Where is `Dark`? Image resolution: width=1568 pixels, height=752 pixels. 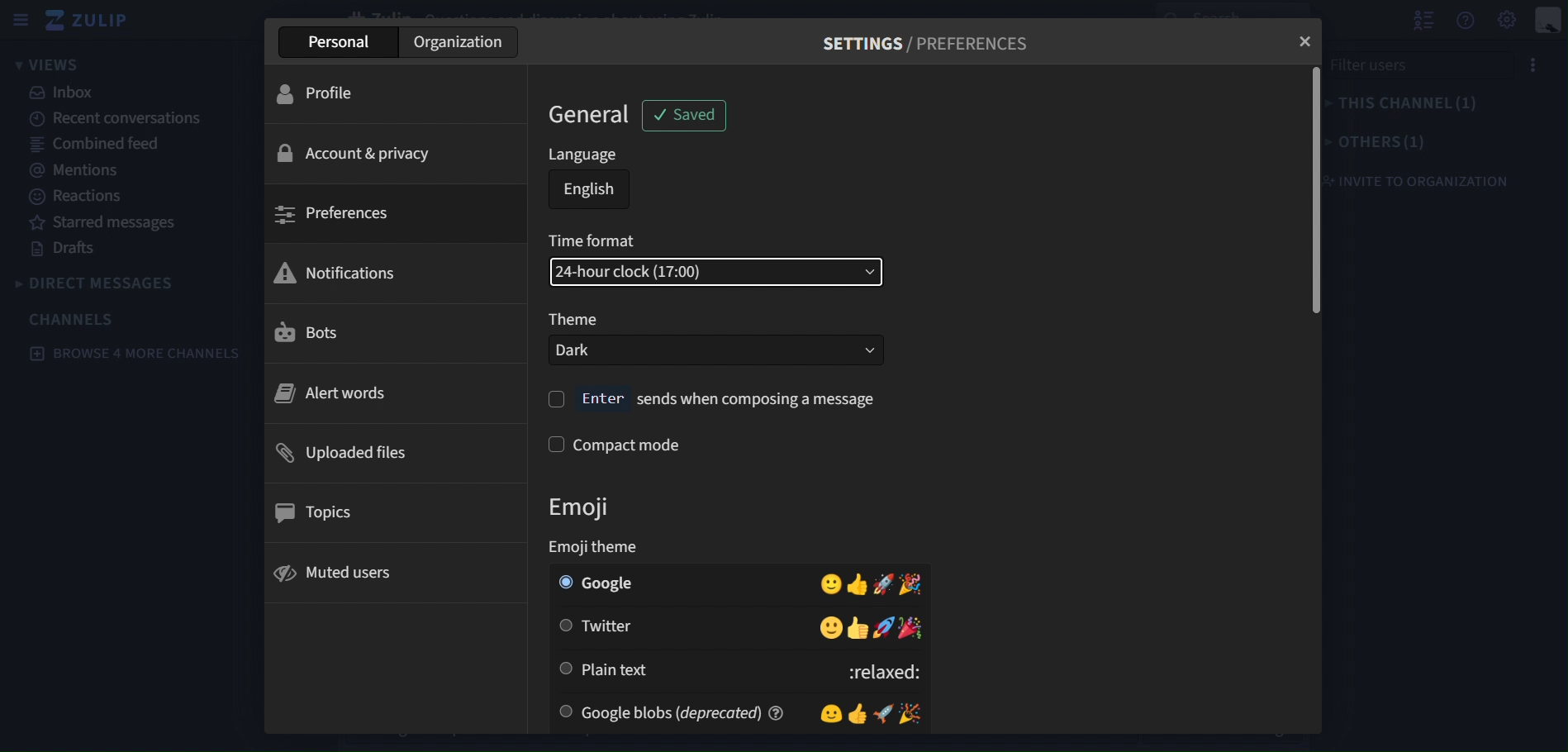
Dark is located at coordinates (723, 351).